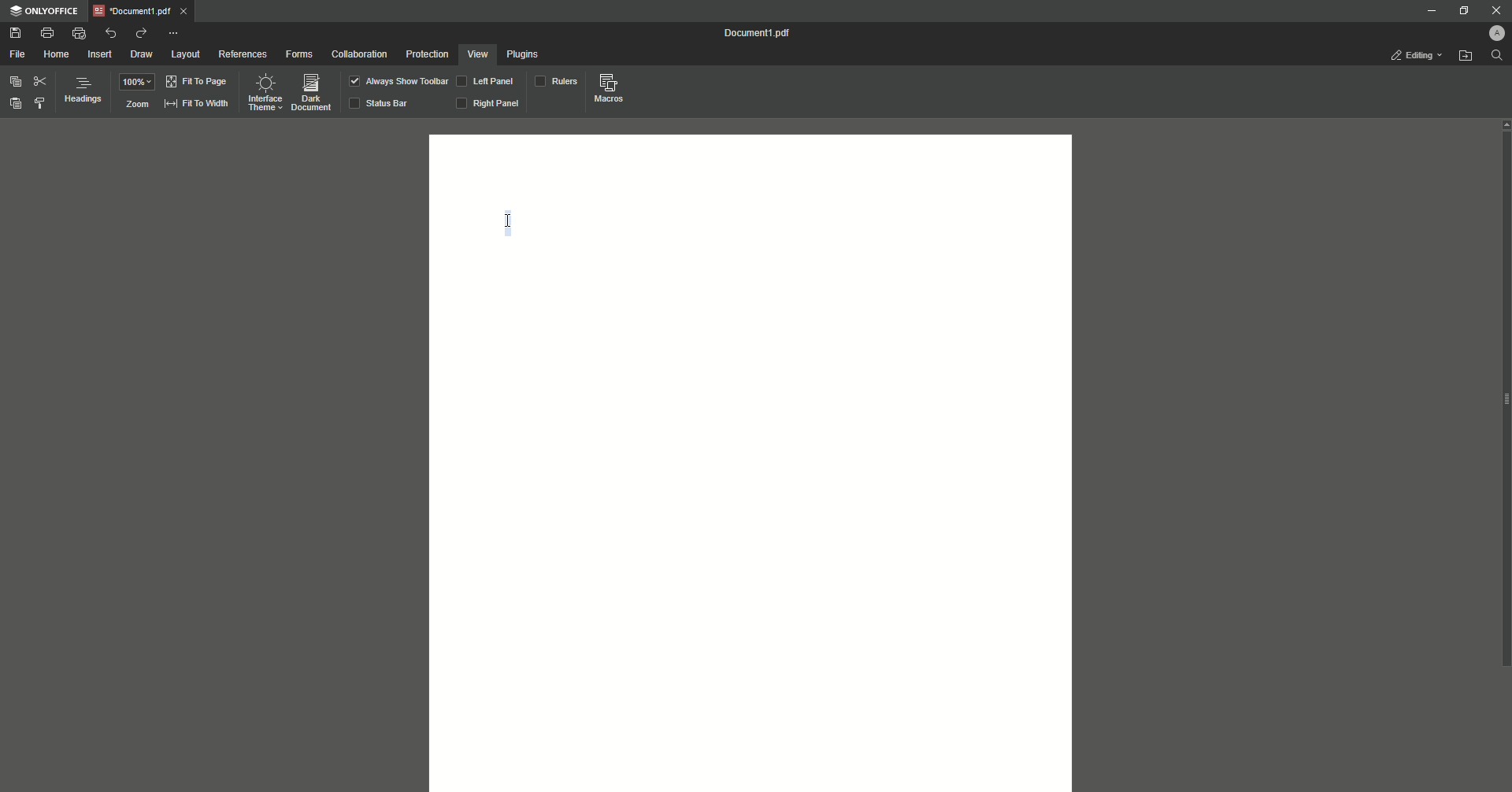  Describe the element at coordinates (20, 54) in the screenshot. I see `File` at that location.